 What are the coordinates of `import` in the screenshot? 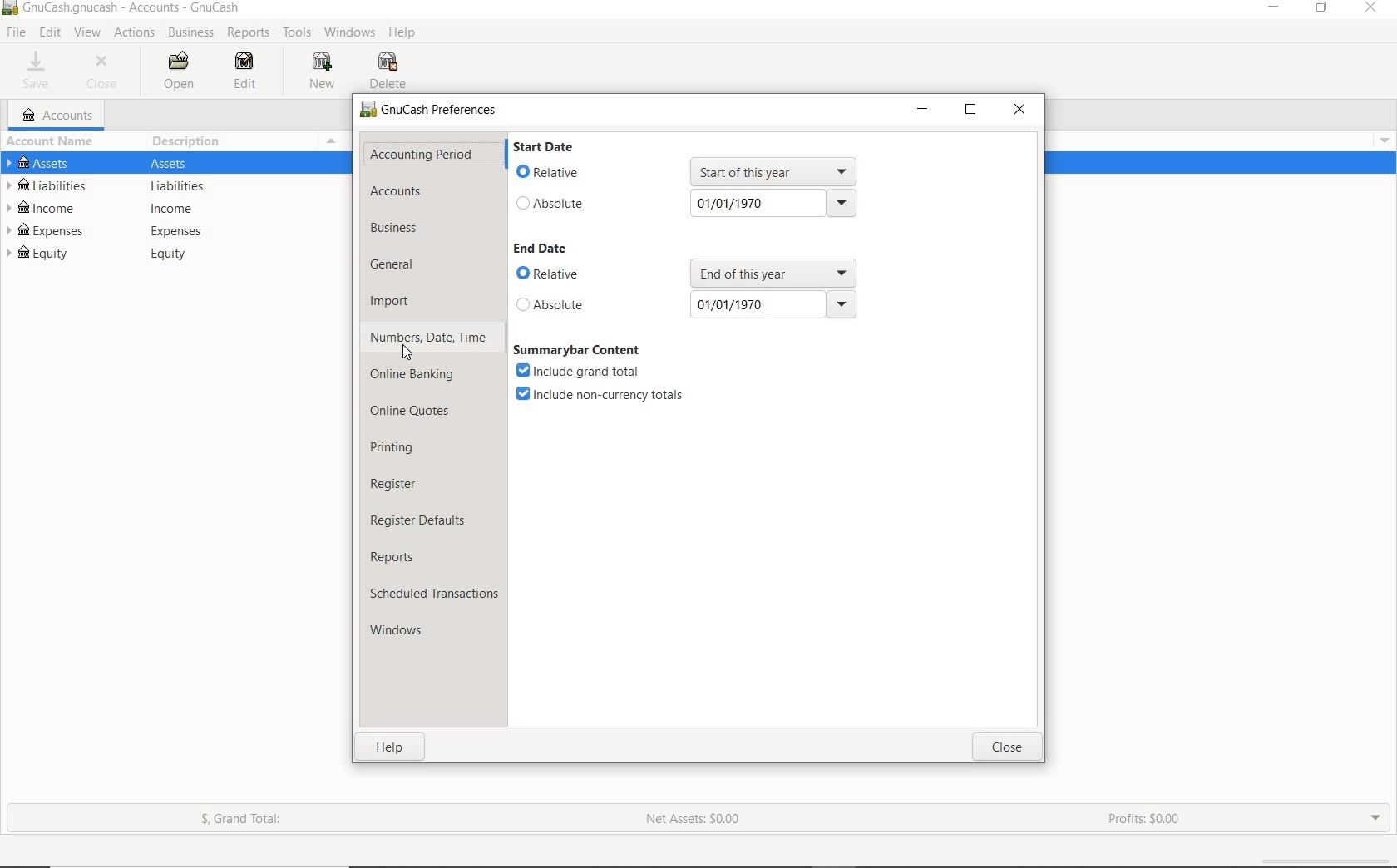 It's located at (402, 300).